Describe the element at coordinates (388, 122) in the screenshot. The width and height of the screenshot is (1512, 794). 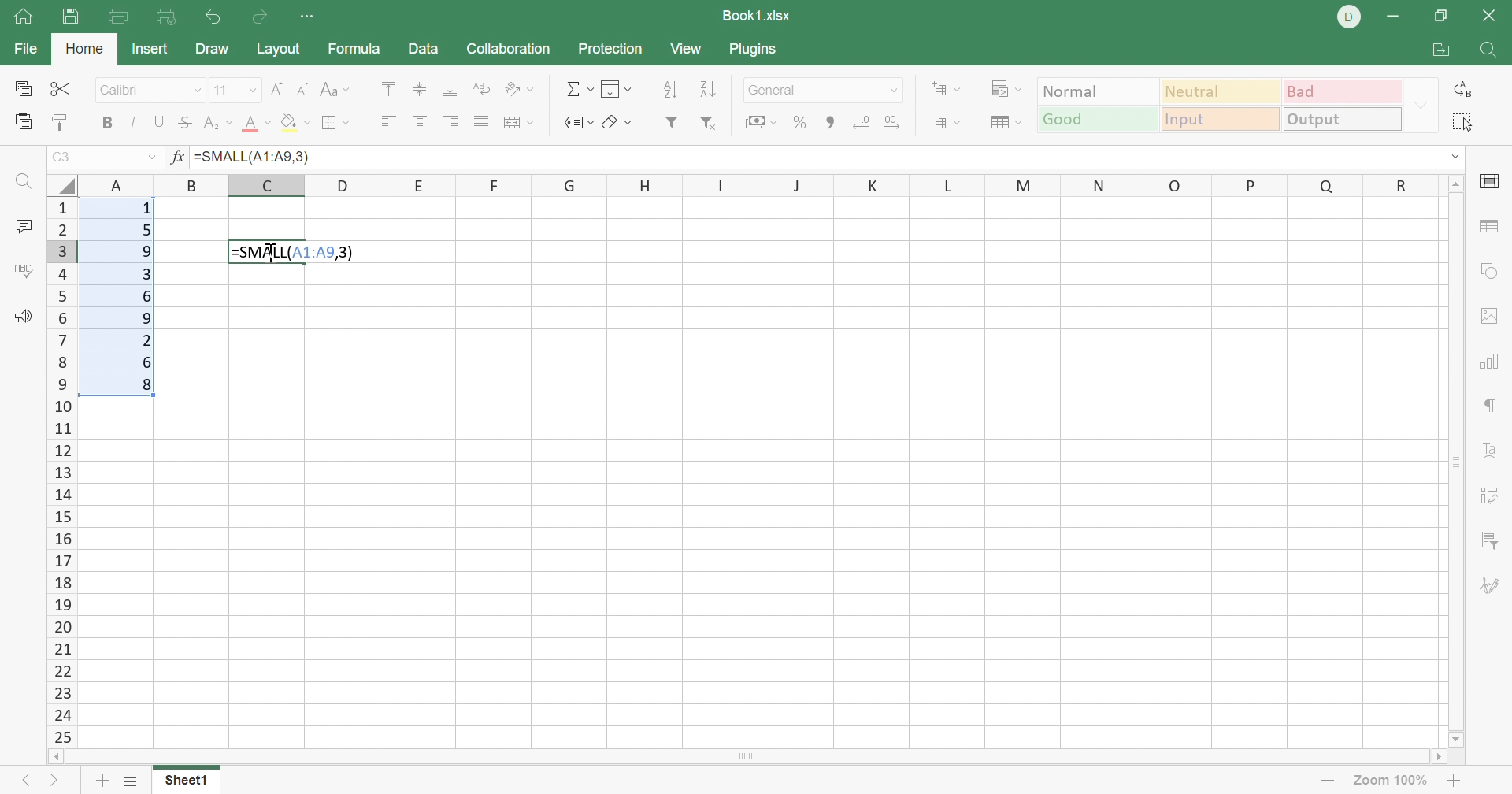
I see `Align left` at that location.